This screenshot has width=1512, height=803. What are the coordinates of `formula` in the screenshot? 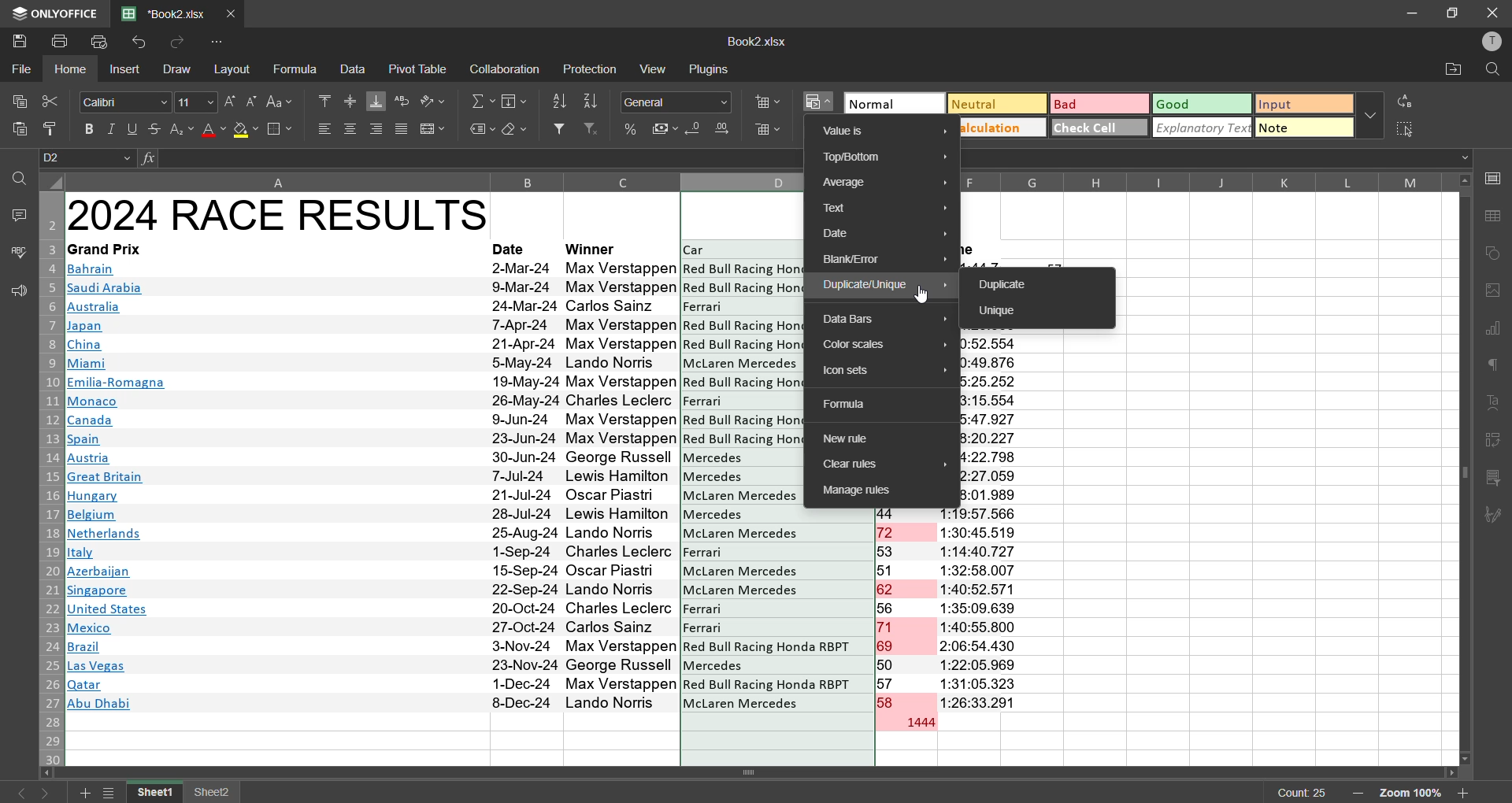 It's located at (860, 405).